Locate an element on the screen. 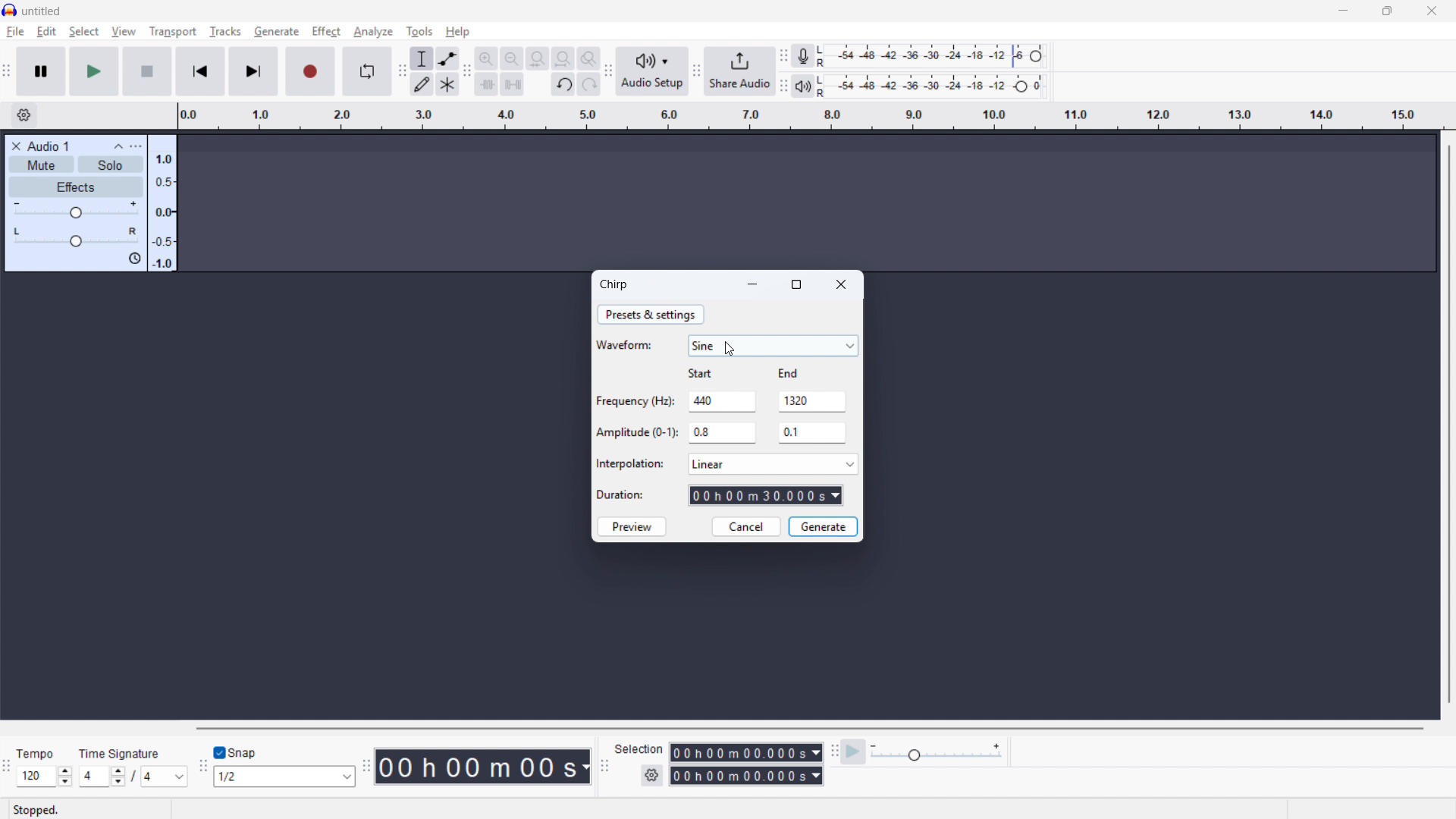 The width and height of the screenshot is (1456, 819). Effect  is located at coordinates (325, 31).